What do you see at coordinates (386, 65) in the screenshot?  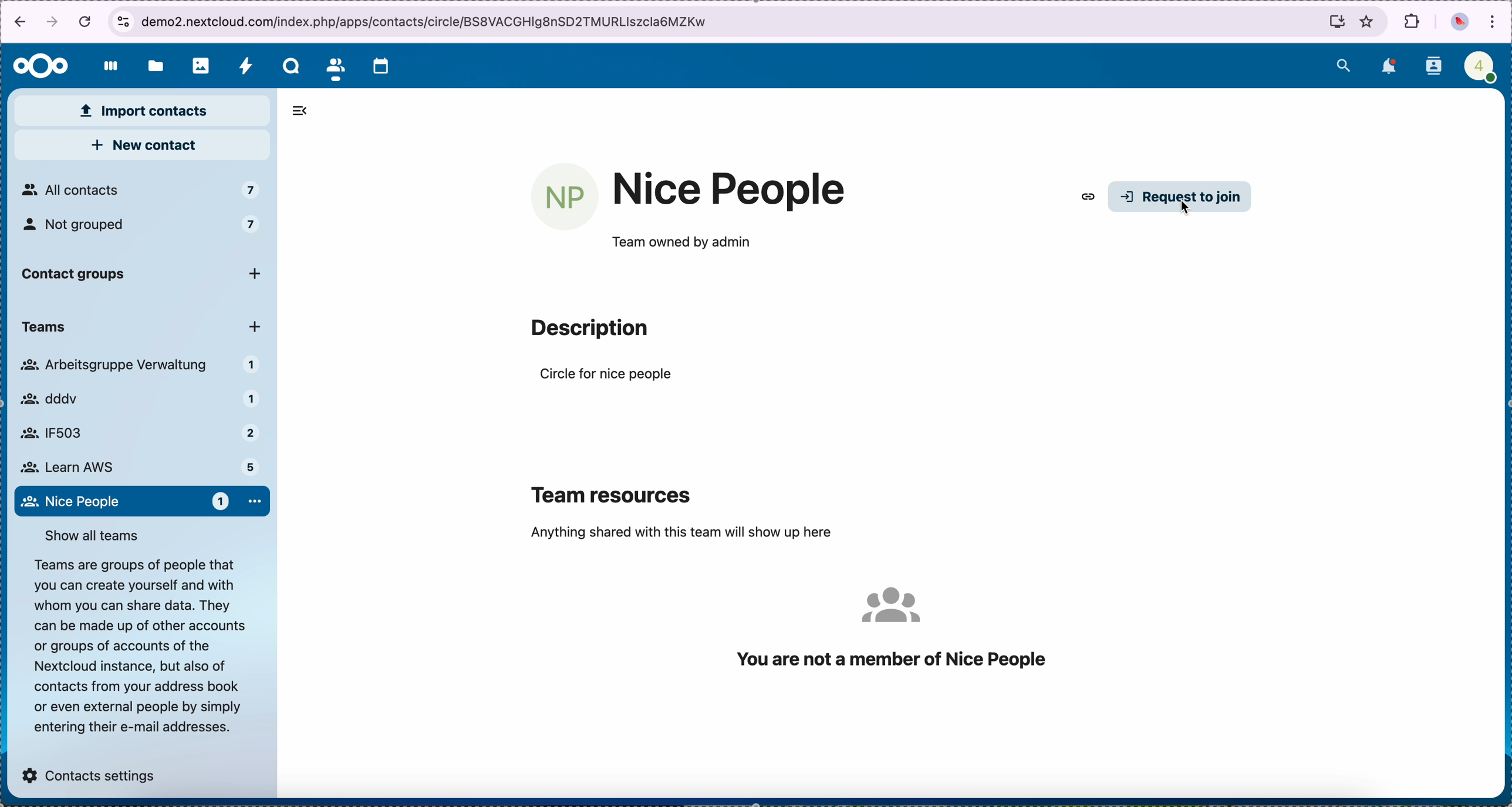 I see `calendar` at bounding box center [386, 65].